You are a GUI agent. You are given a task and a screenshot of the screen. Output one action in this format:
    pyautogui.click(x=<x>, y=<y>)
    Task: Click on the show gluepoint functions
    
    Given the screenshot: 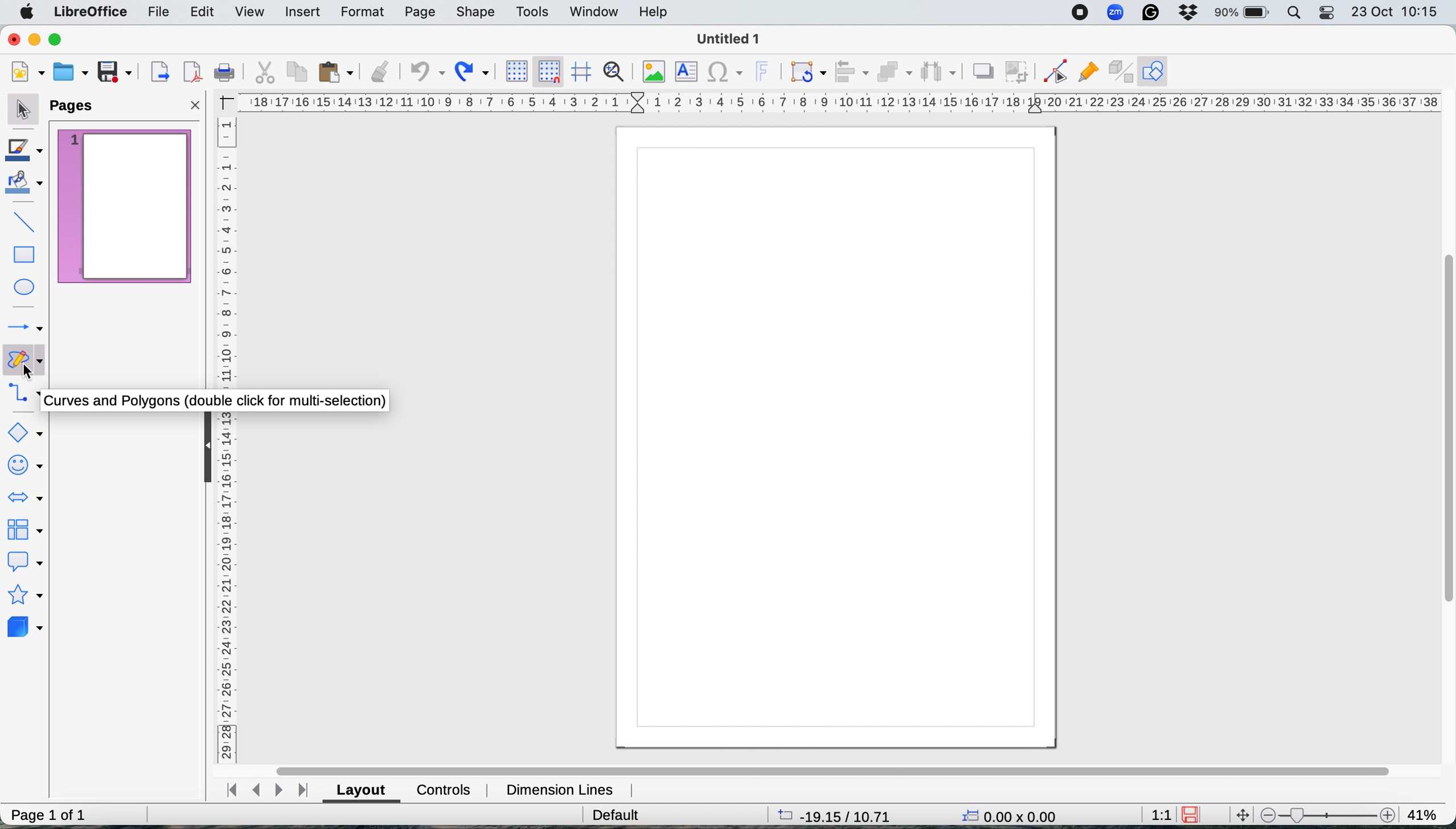 What is the action you would take?
    pyautogui.click(x=1088, y=71)
    